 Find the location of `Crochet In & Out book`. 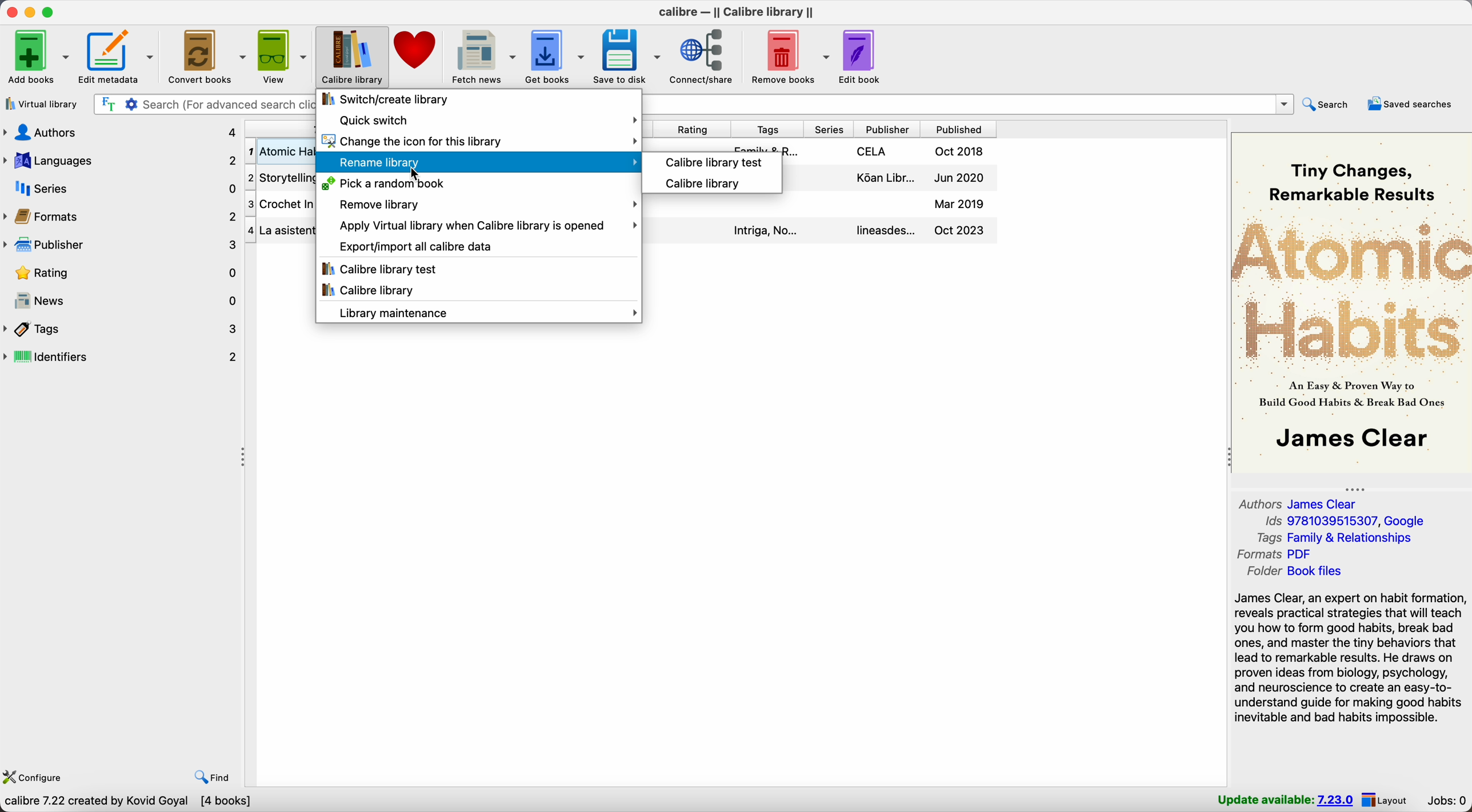

Crochet In & Out book is located at coordinates (281, 205).